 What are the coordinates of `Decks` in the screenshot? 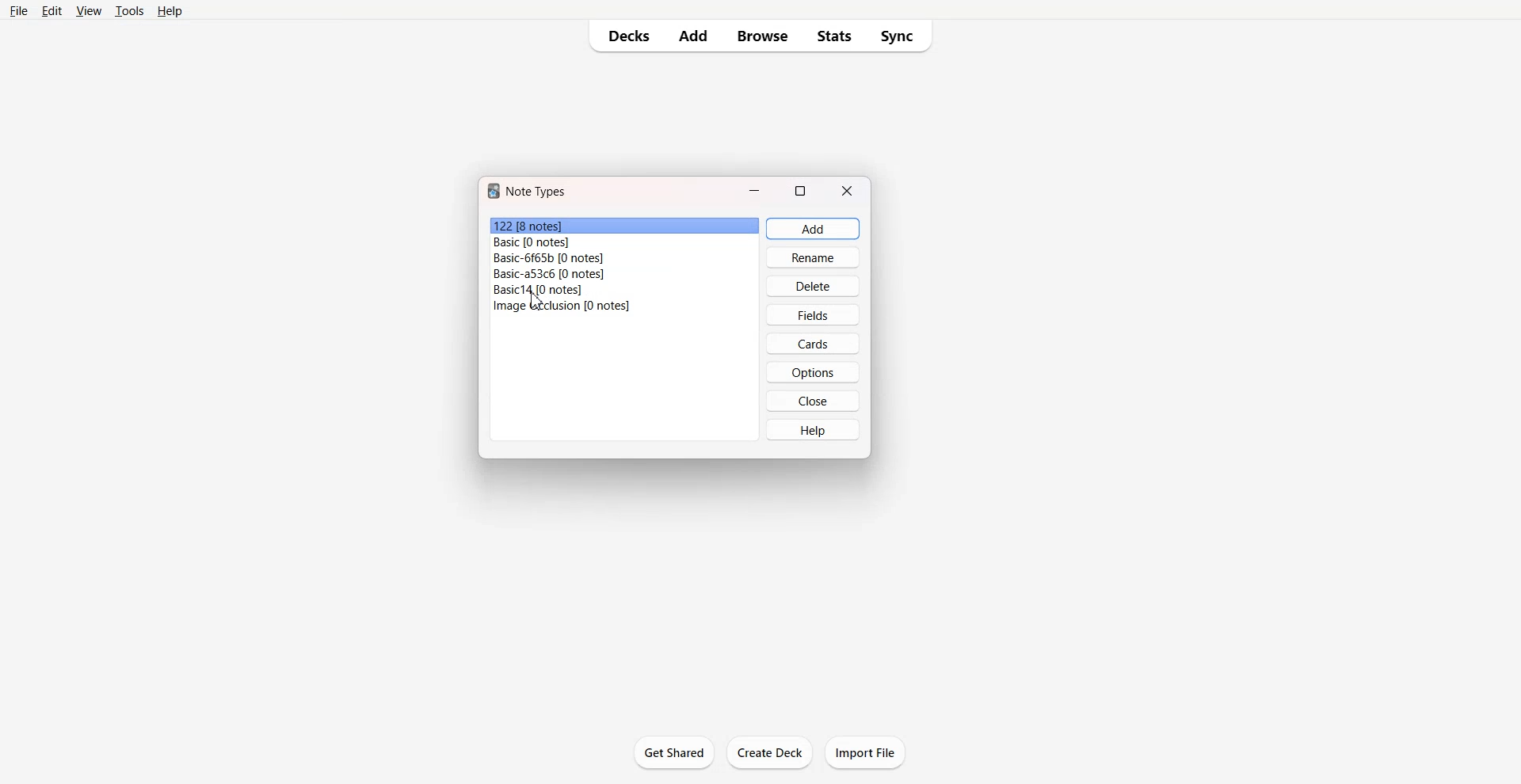 It's located at (624, 36).